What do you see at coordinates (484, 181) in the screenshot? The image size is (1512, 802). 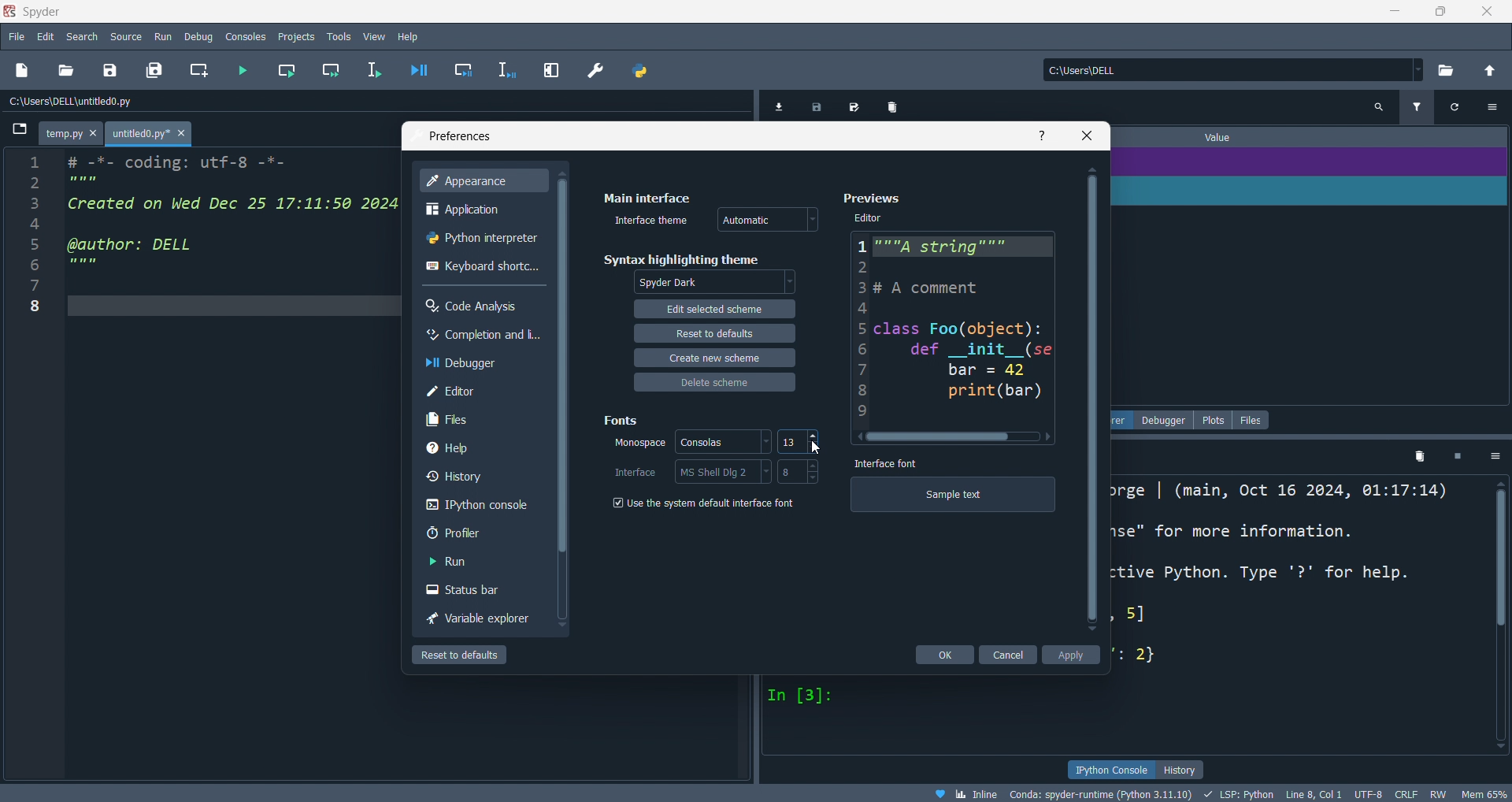 I see `appearance` at bounding box center [484, 181].